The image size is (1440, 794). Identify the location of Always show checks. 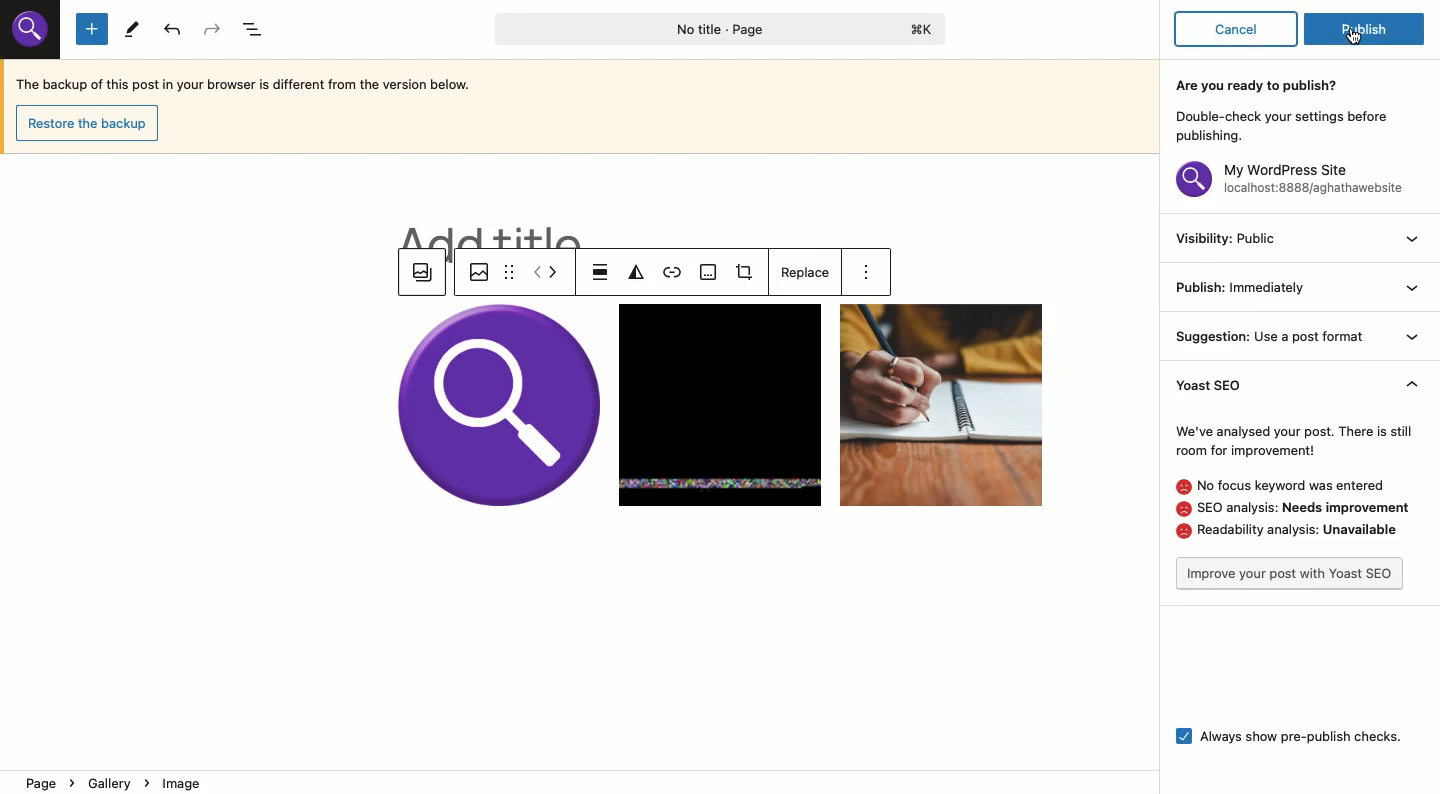
(1290, 734).